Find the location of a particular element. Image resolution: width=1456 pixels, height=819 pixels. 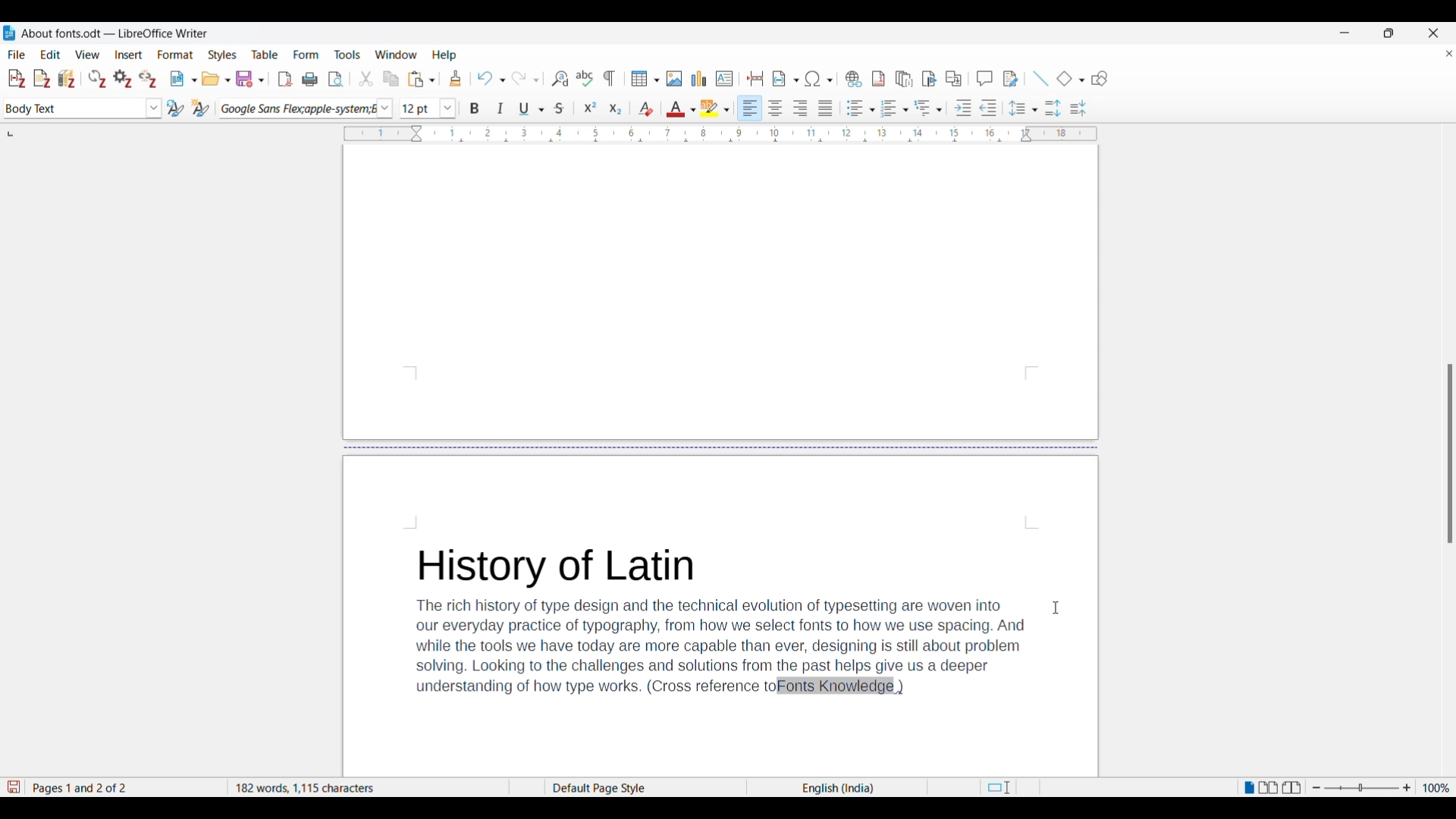

Paragraph style options is located at coordinates (154, 108).